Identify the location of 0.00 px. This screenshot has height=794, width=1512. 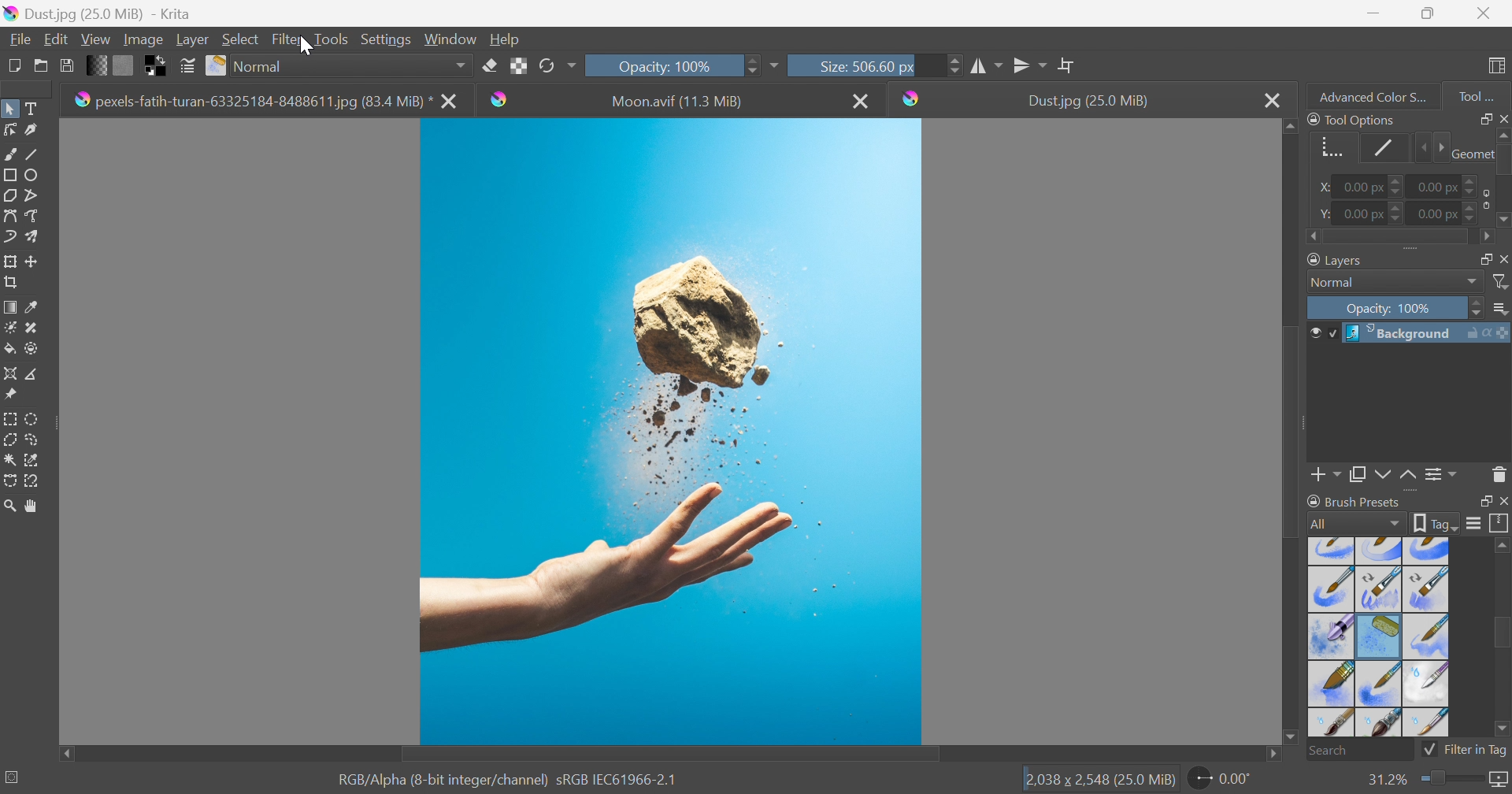
(1361, 187).